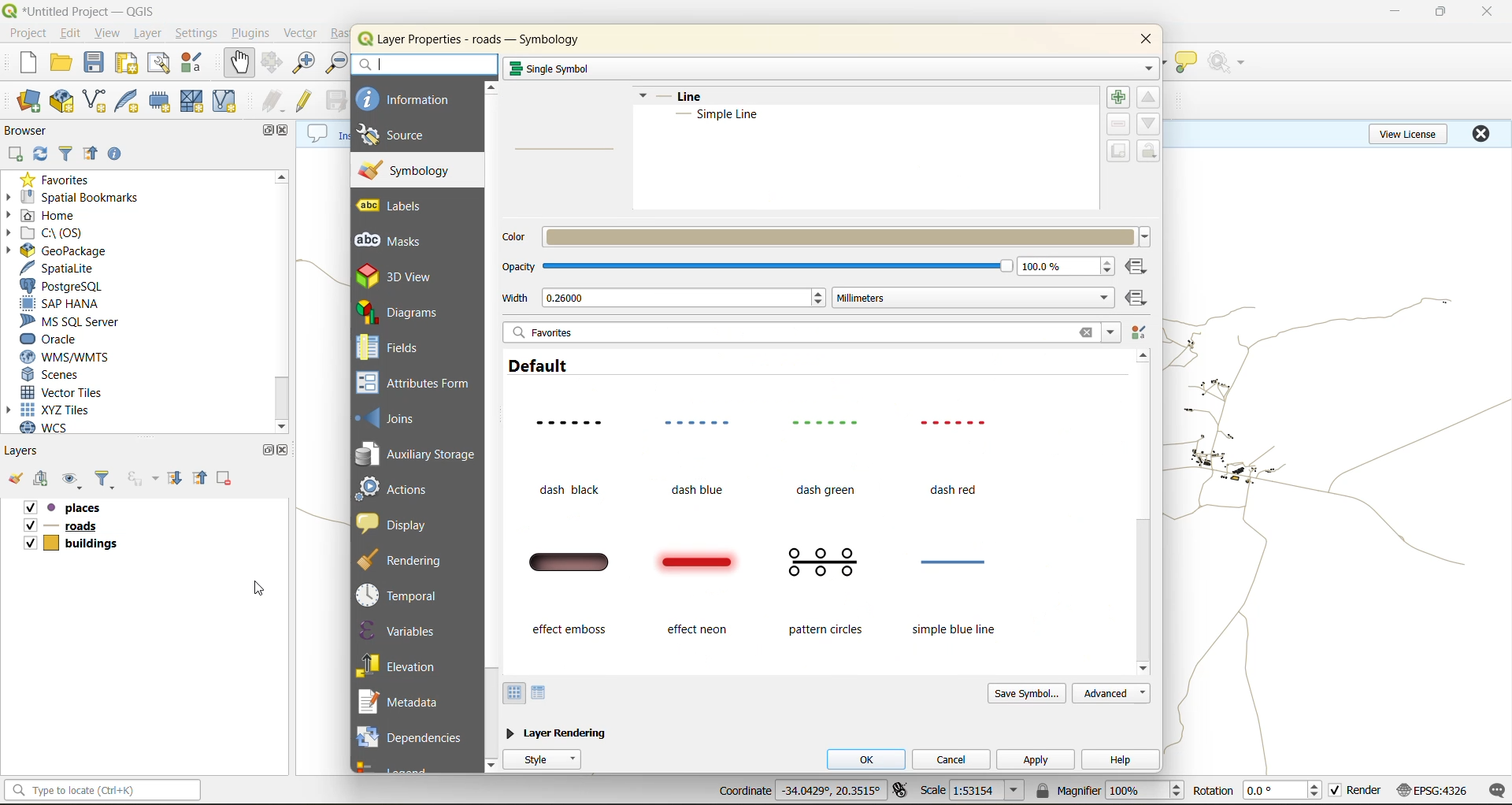 Image resolution: width=1512 pixels, height=805 pixels. I want to click on scale, so click(976, 789).